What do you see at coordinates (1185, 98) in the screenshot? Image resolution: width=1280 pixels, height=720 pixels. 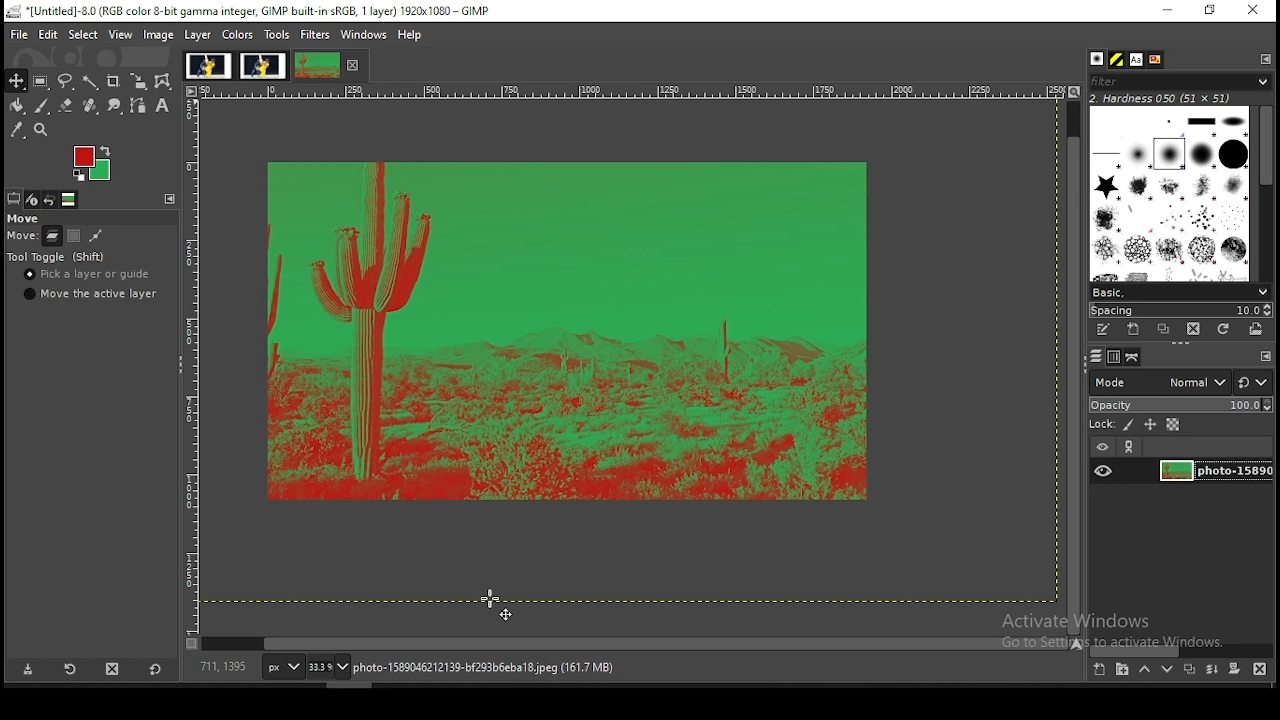 I see `hardness 050` at bounding box center [1185, 98].